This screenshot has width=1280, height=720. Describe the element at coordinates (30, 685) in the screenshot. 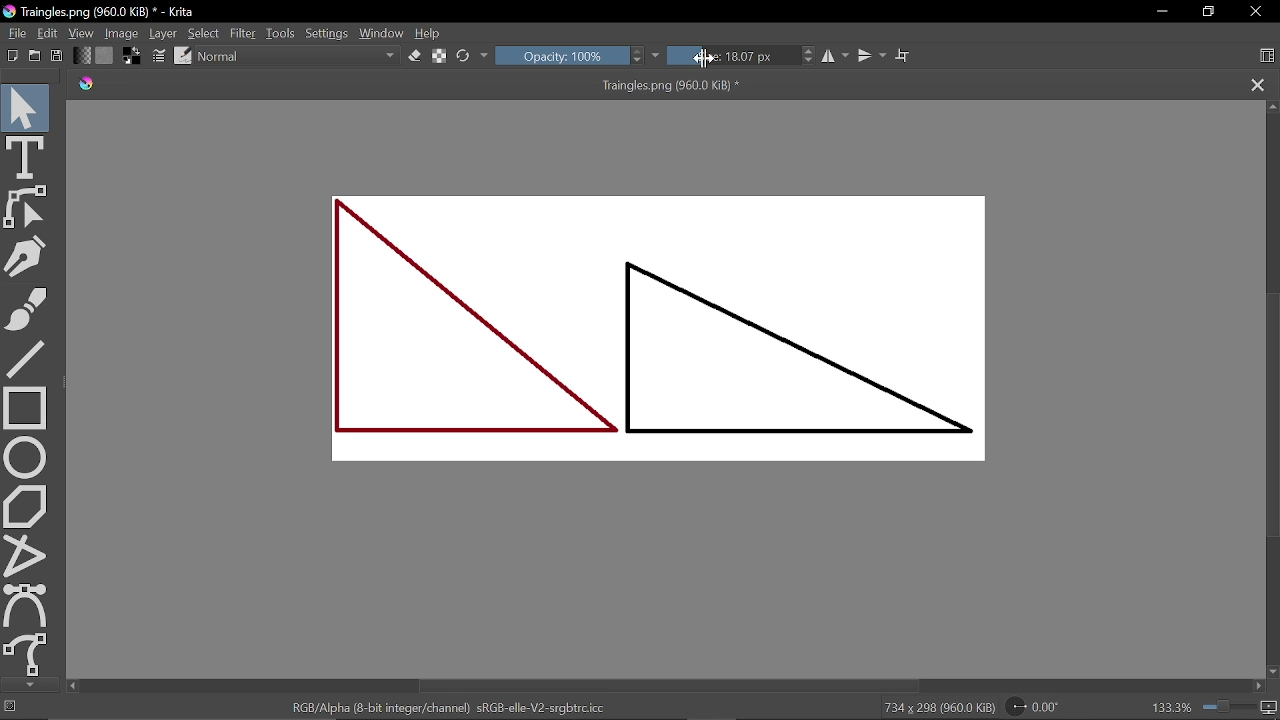

I see `Move down` at that location.